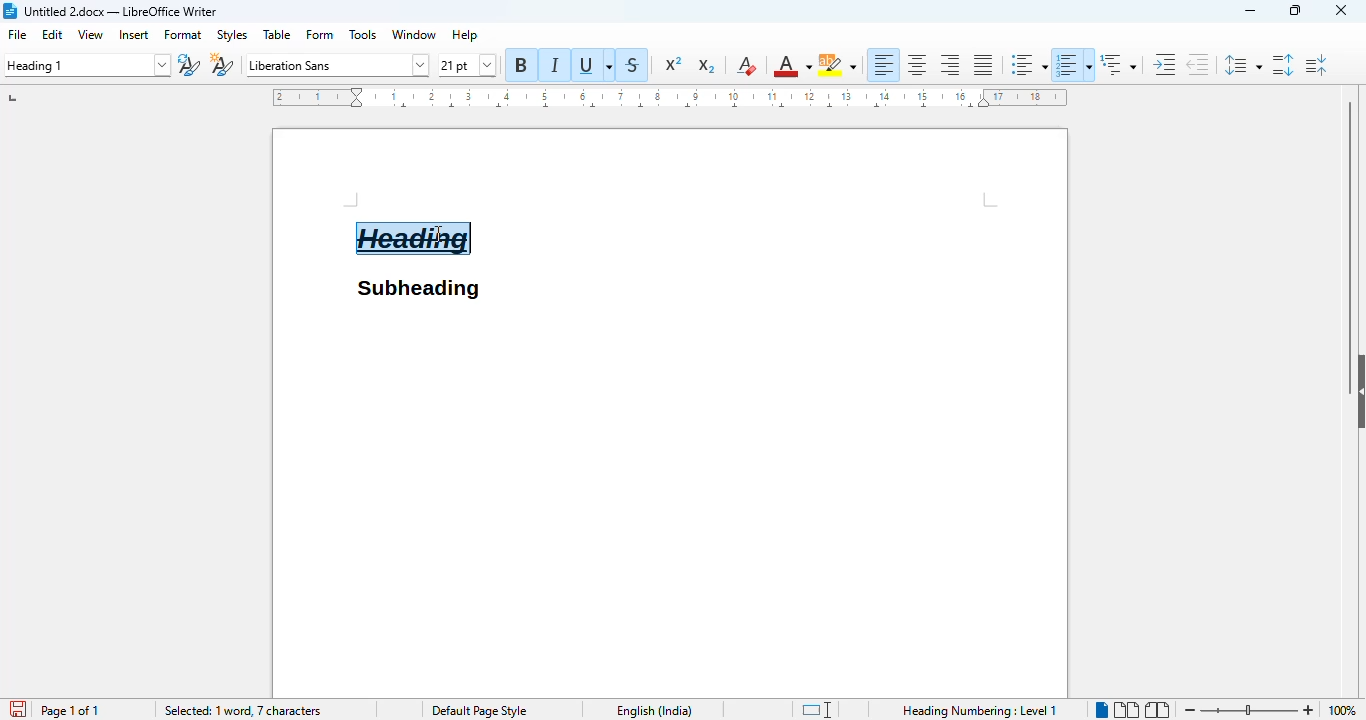 This screenshot has width=1366, height=720. What do you see at coordinates (10, 11) in the screenshot?
I see `logo` at bounding box center [10, 11].